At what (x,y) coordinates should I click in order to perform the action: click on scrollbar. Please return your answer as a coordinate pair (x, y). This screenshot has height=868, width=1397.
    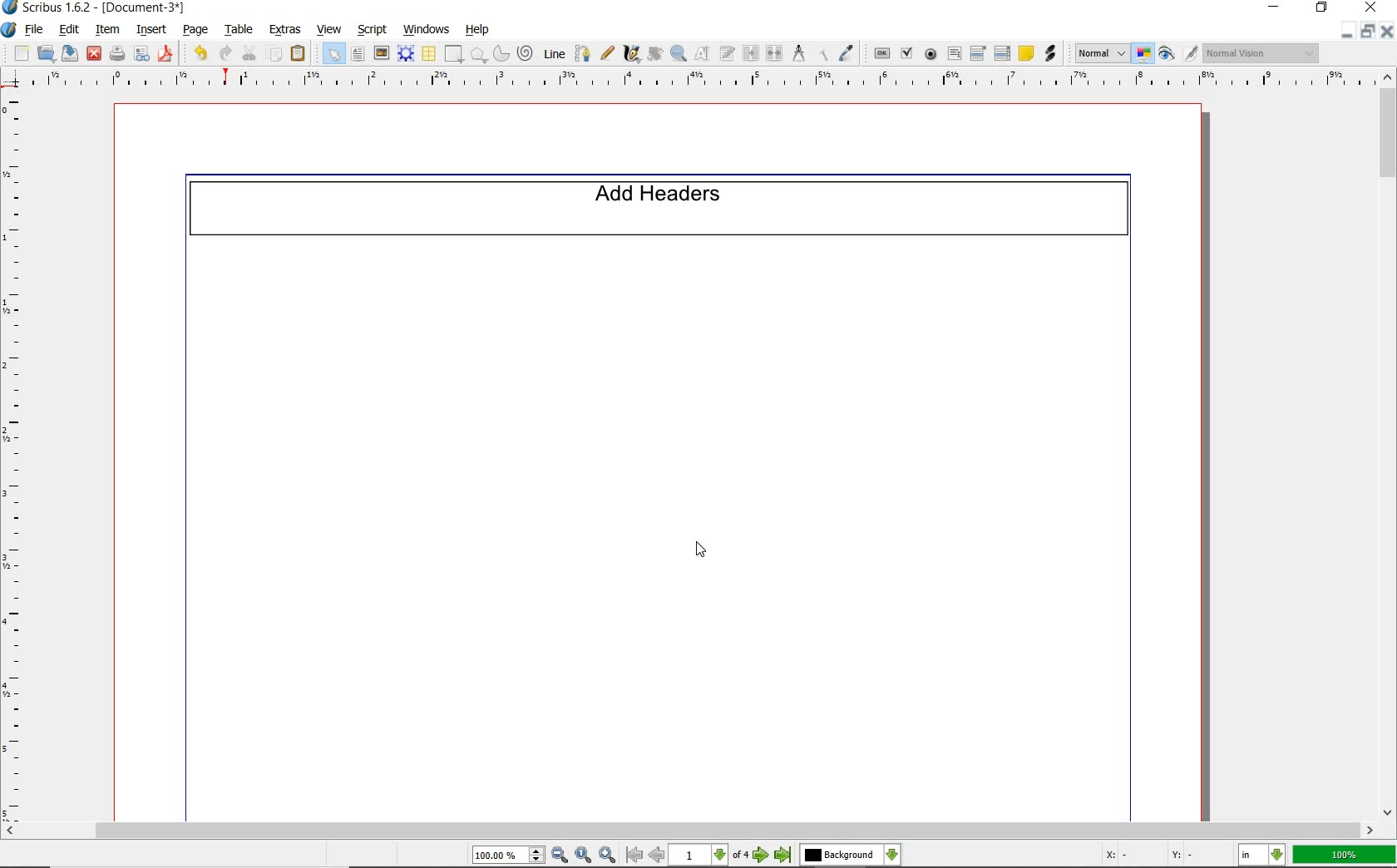
    Looking at the image, I should click on (1388, 446).